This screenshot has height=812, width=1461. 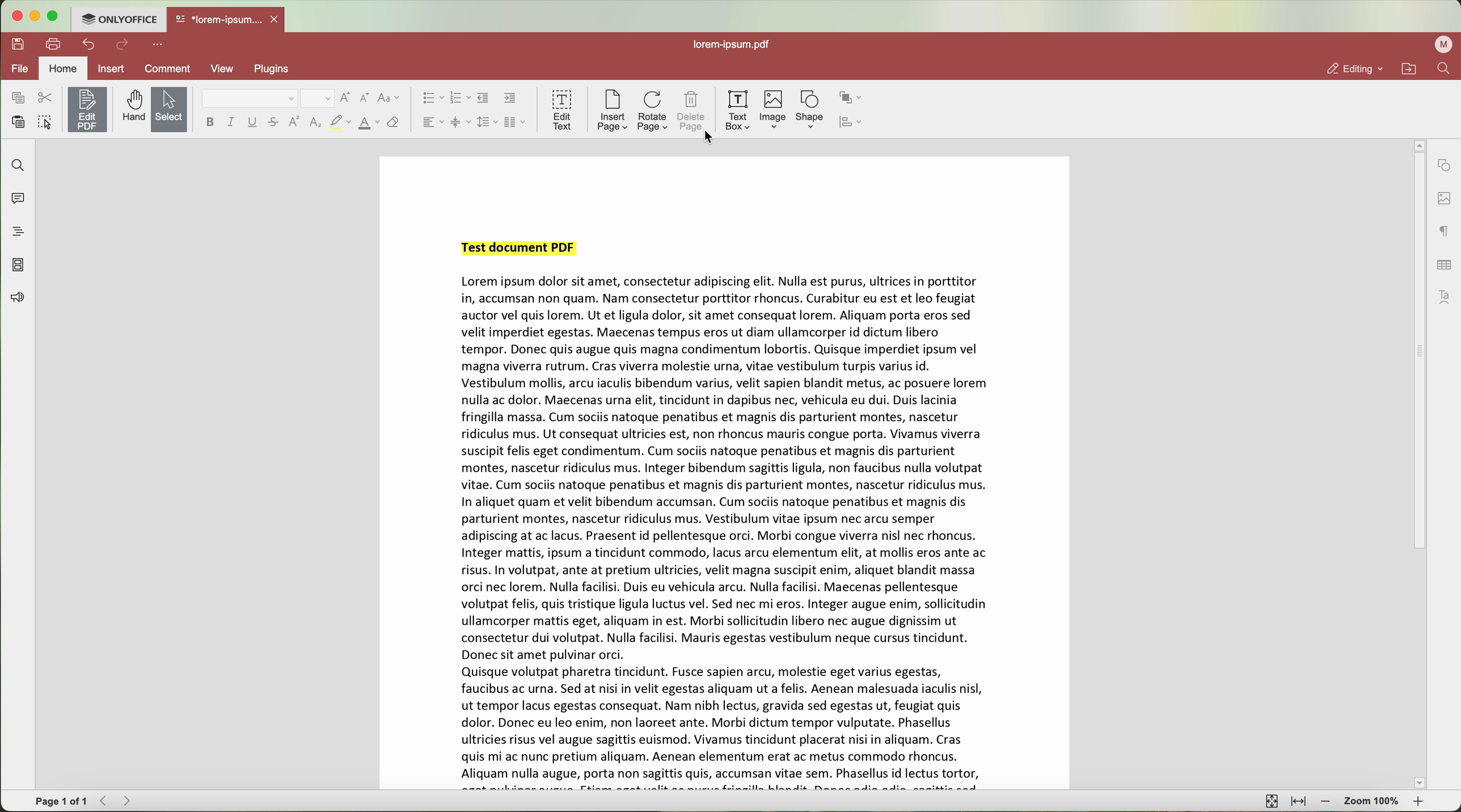 I want to click on find, so click(x=1445, y=69).